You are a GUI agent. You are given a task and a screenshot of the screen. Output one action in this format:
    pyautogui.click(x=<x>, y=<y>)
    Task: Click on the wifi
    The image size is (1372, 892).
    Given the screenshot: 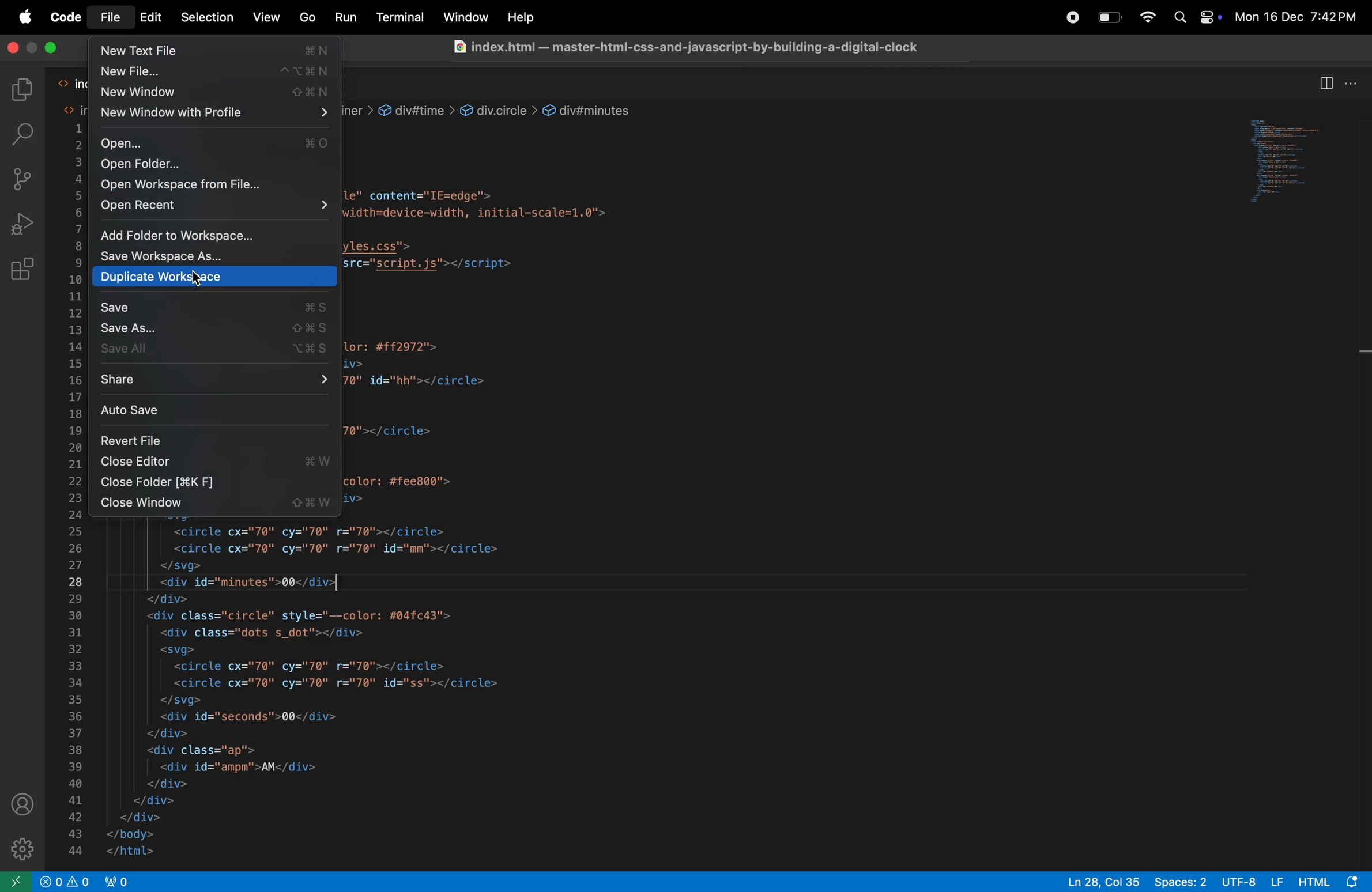 What is the action you would take?
    pyautogui.click(x=1147, y=18)
    